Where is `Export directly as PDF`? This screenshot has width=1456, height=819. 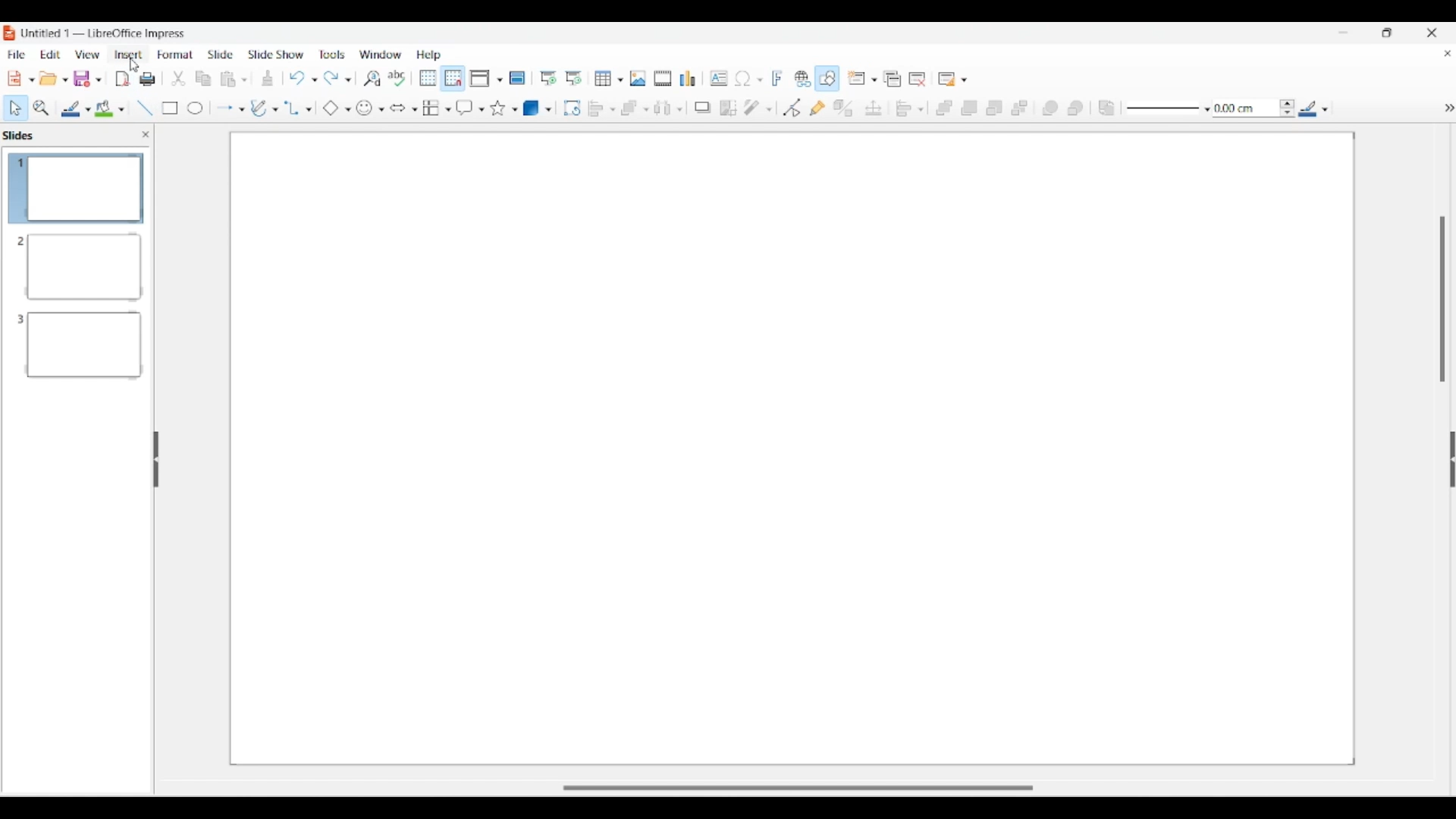
Export directly as PDF is located at coordinates (124, 80).